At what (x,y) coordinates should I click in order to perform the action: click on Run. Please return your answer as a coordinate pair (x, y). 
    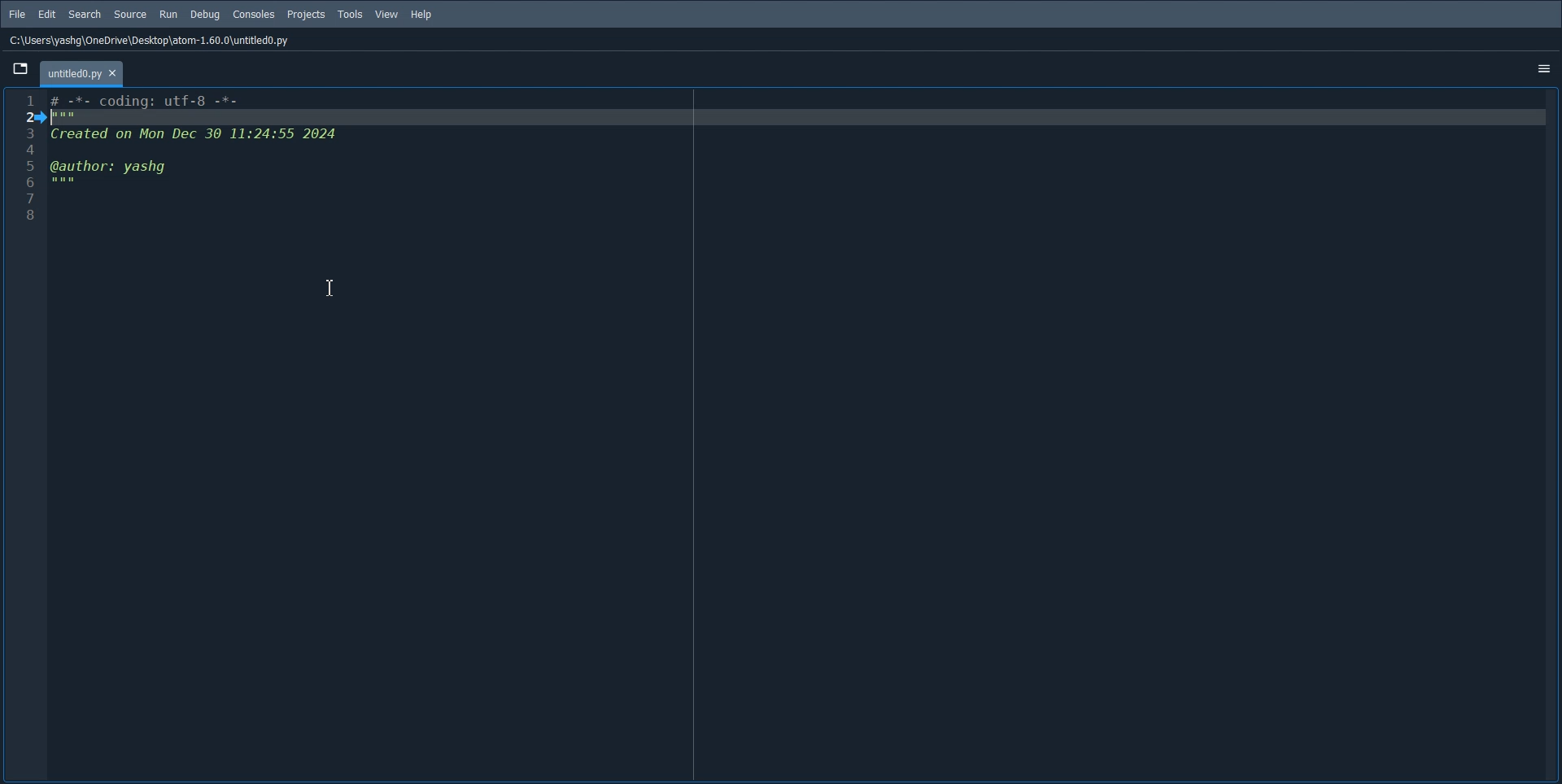
    Looking at the image, I should click on (168, 15).